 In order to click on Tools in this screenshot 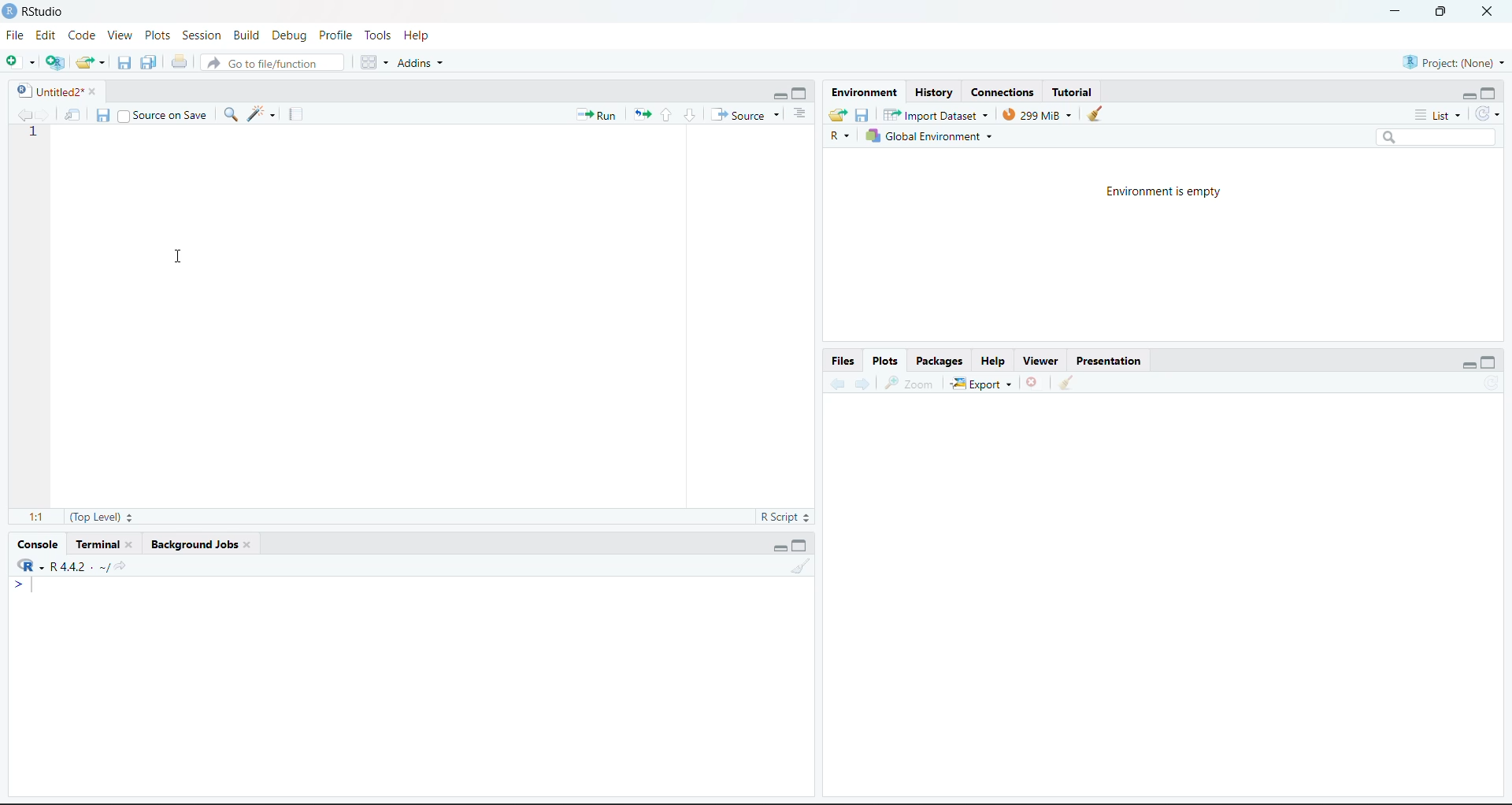, I will do `click(382, 35)`.